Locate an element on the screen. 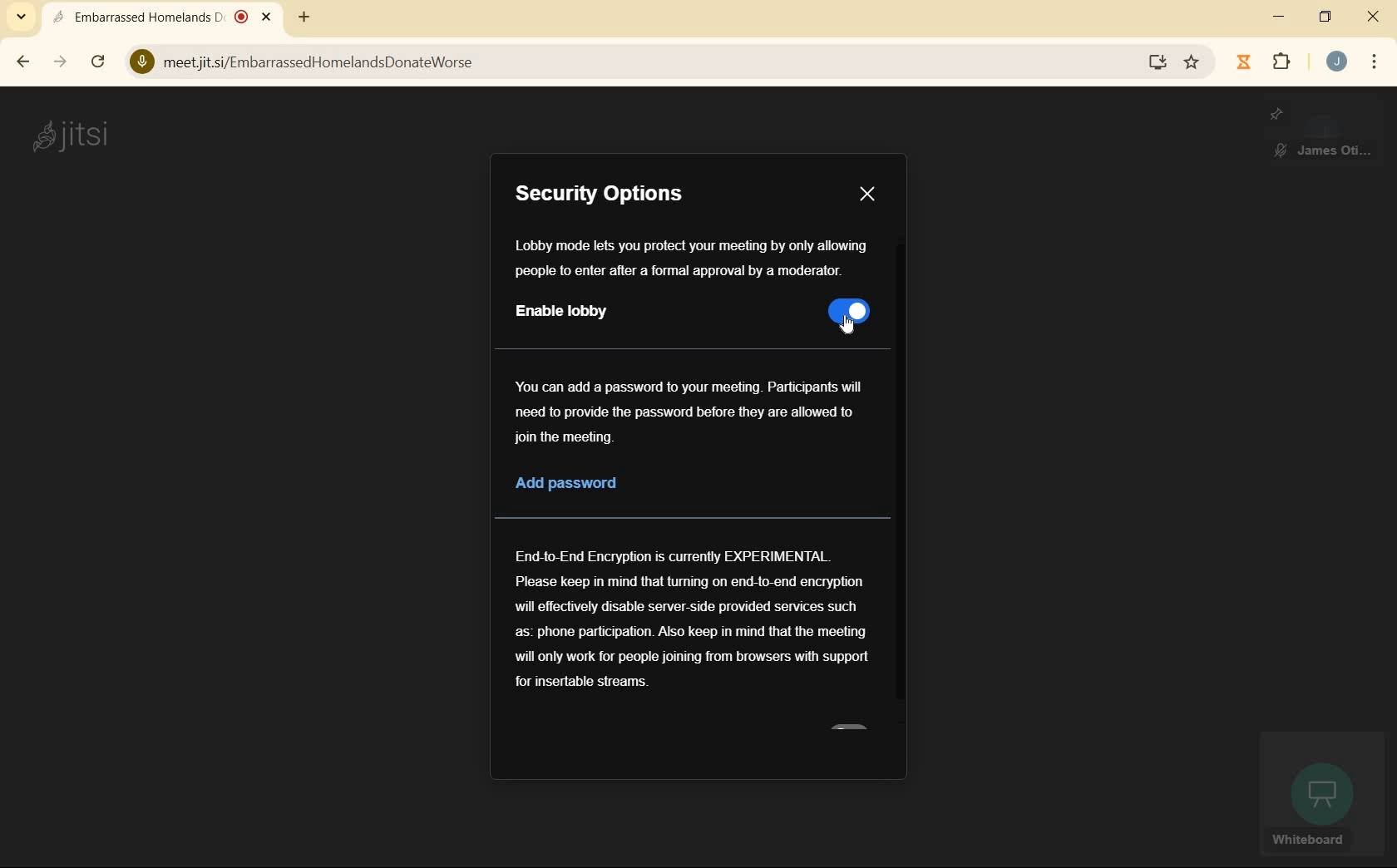 The width and height of the screenshot is (1397, 868). back is located at coordinates (20, 62).